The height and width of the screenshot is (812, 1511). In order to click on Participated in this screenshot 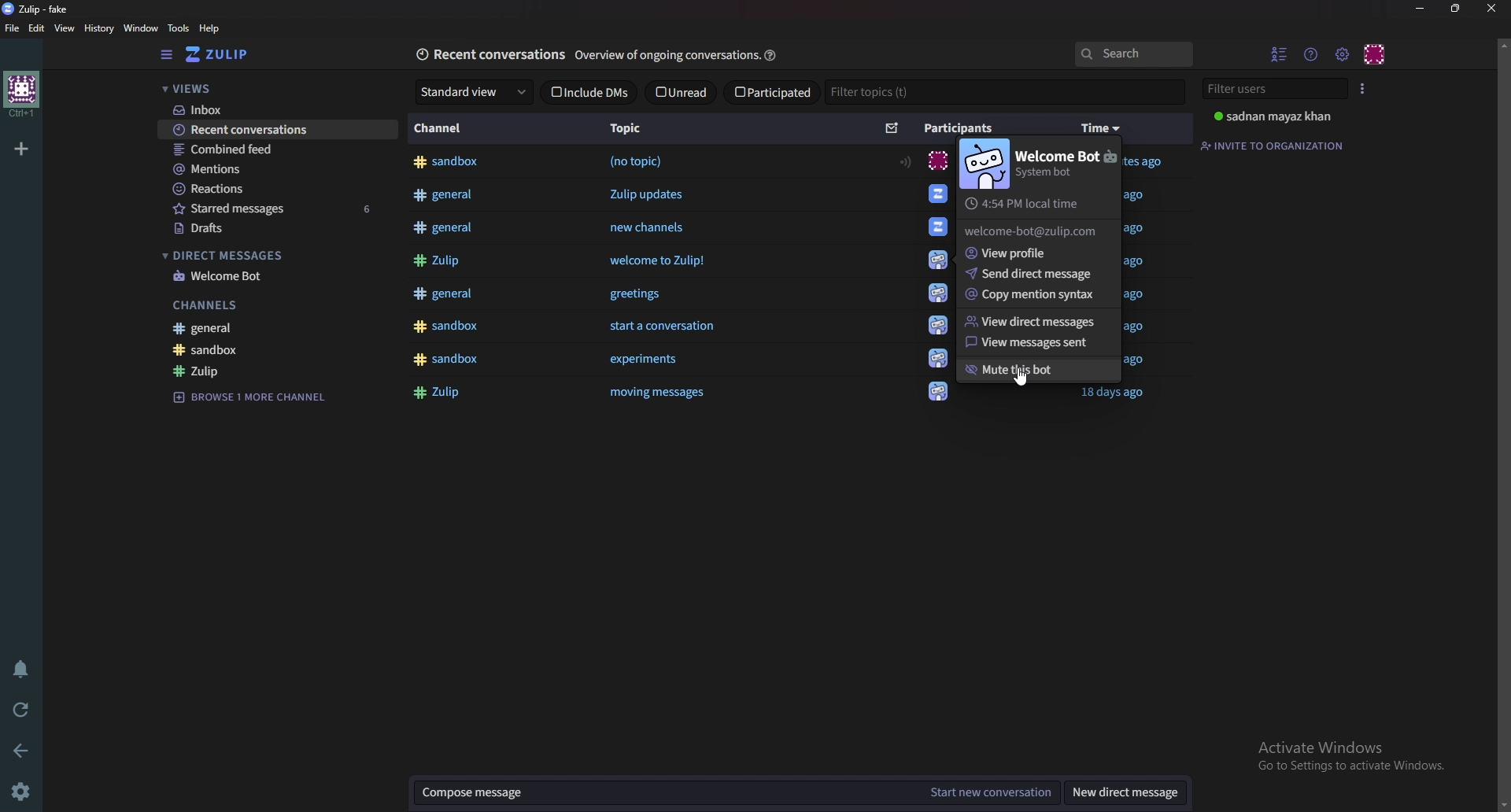, I will do `click(770, 93)`.